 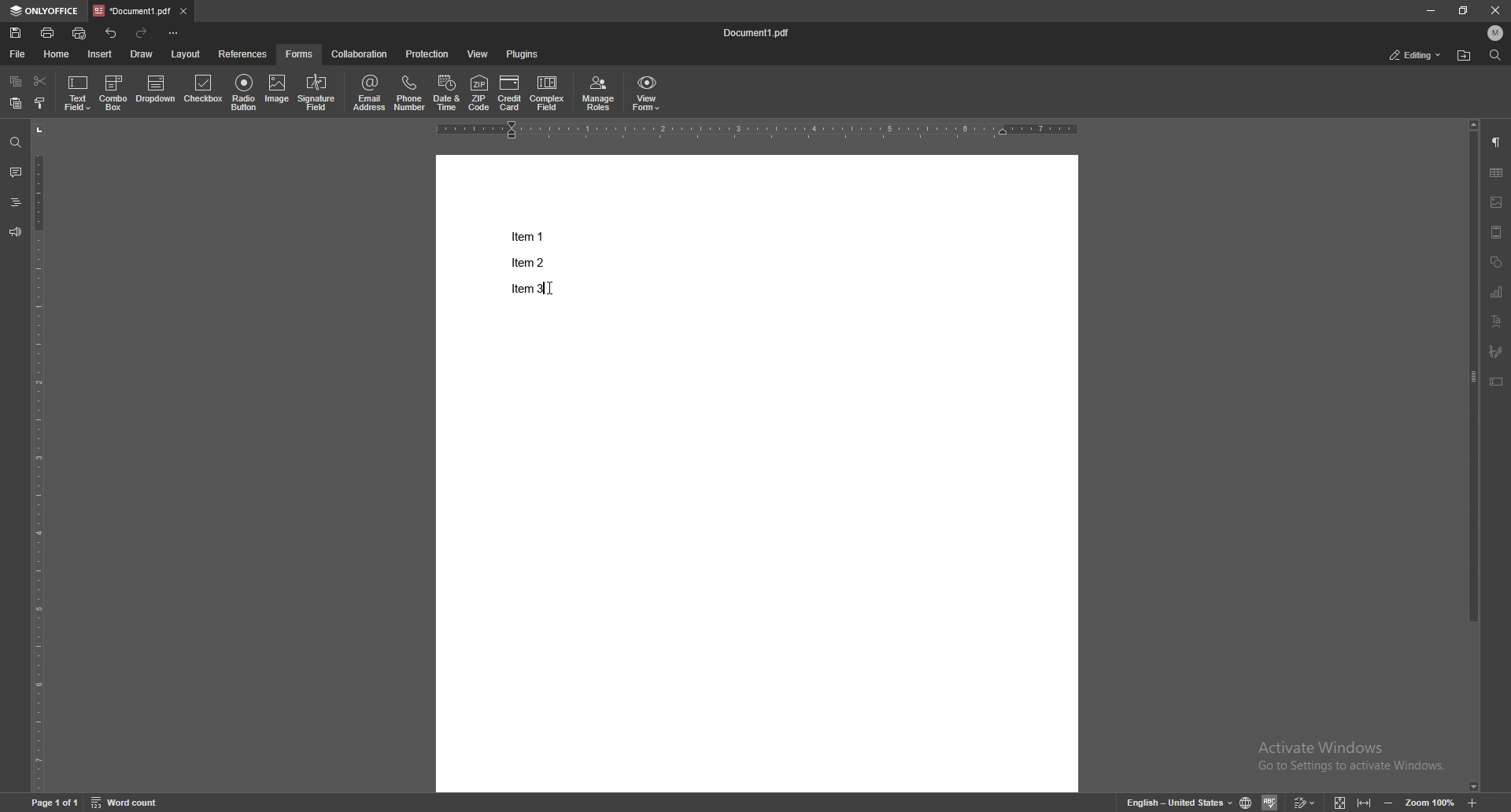 I want to click on customize toolbar, so click(x=174, y=34).